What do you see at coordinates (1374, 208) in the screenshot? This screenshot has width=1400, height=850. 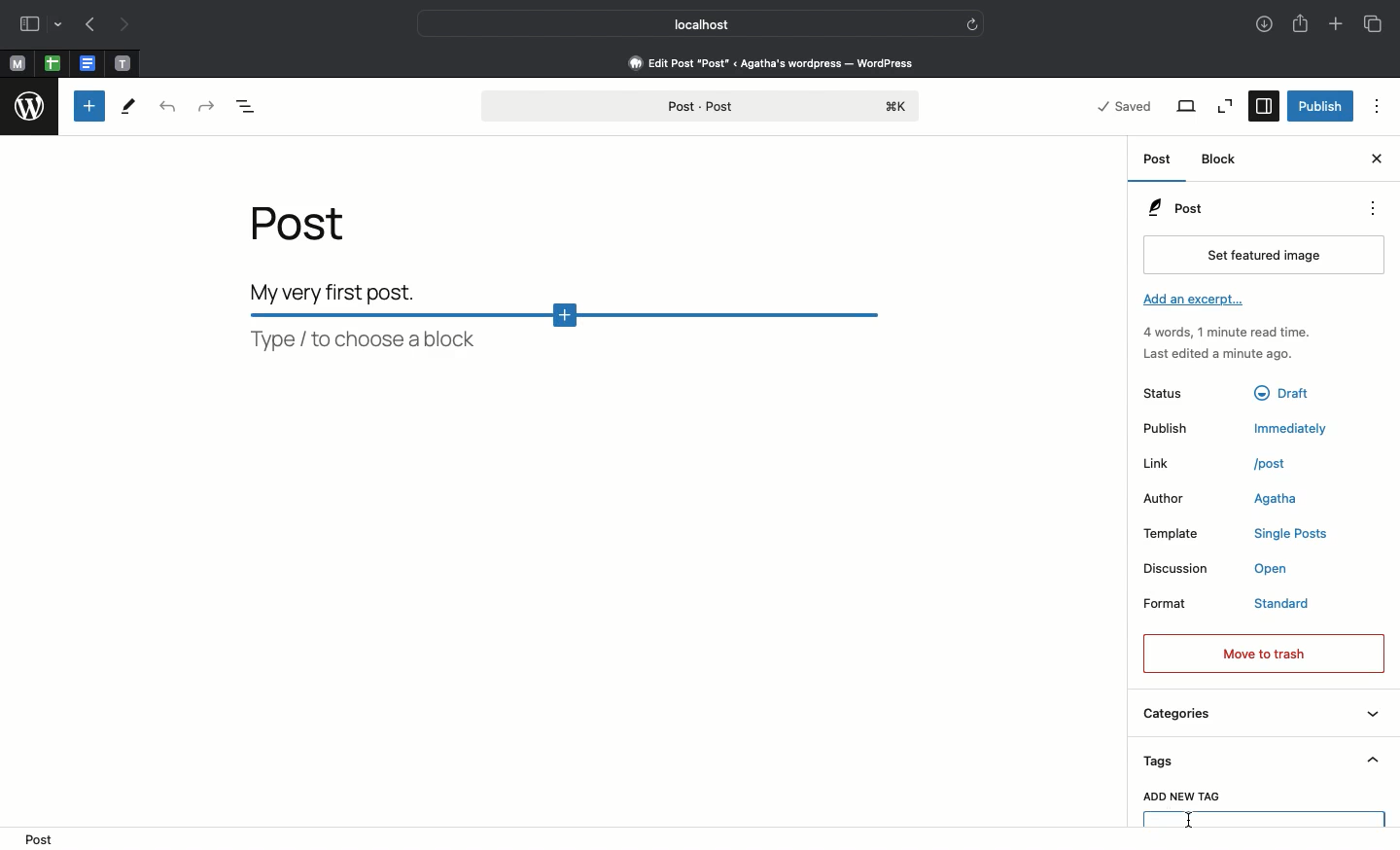 I see `options` at bounding box center [1374, 208].